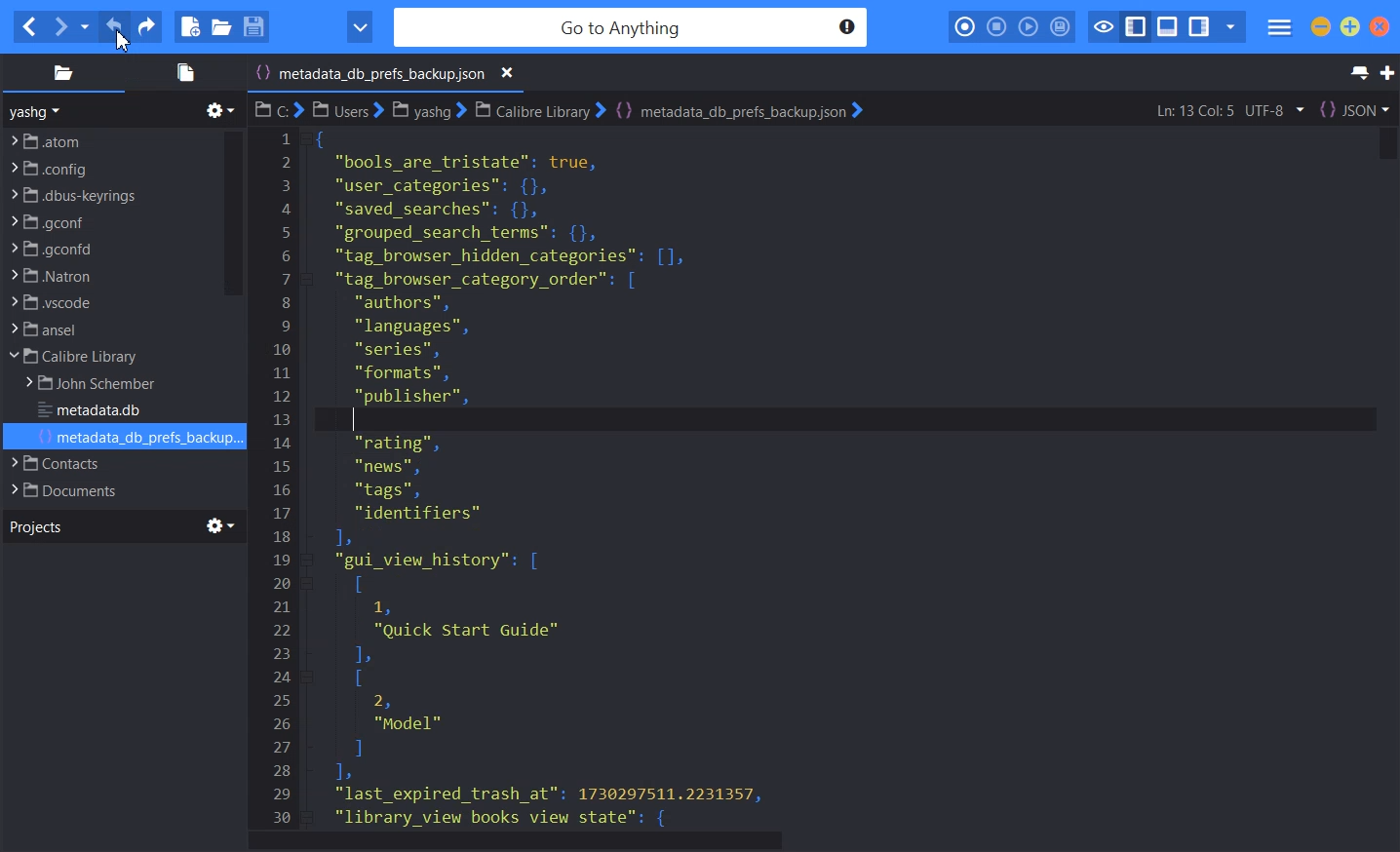  What do you see at coordinates (182, 72) in the screenshot?
I see `Open files` at bounding box center [182, 72].